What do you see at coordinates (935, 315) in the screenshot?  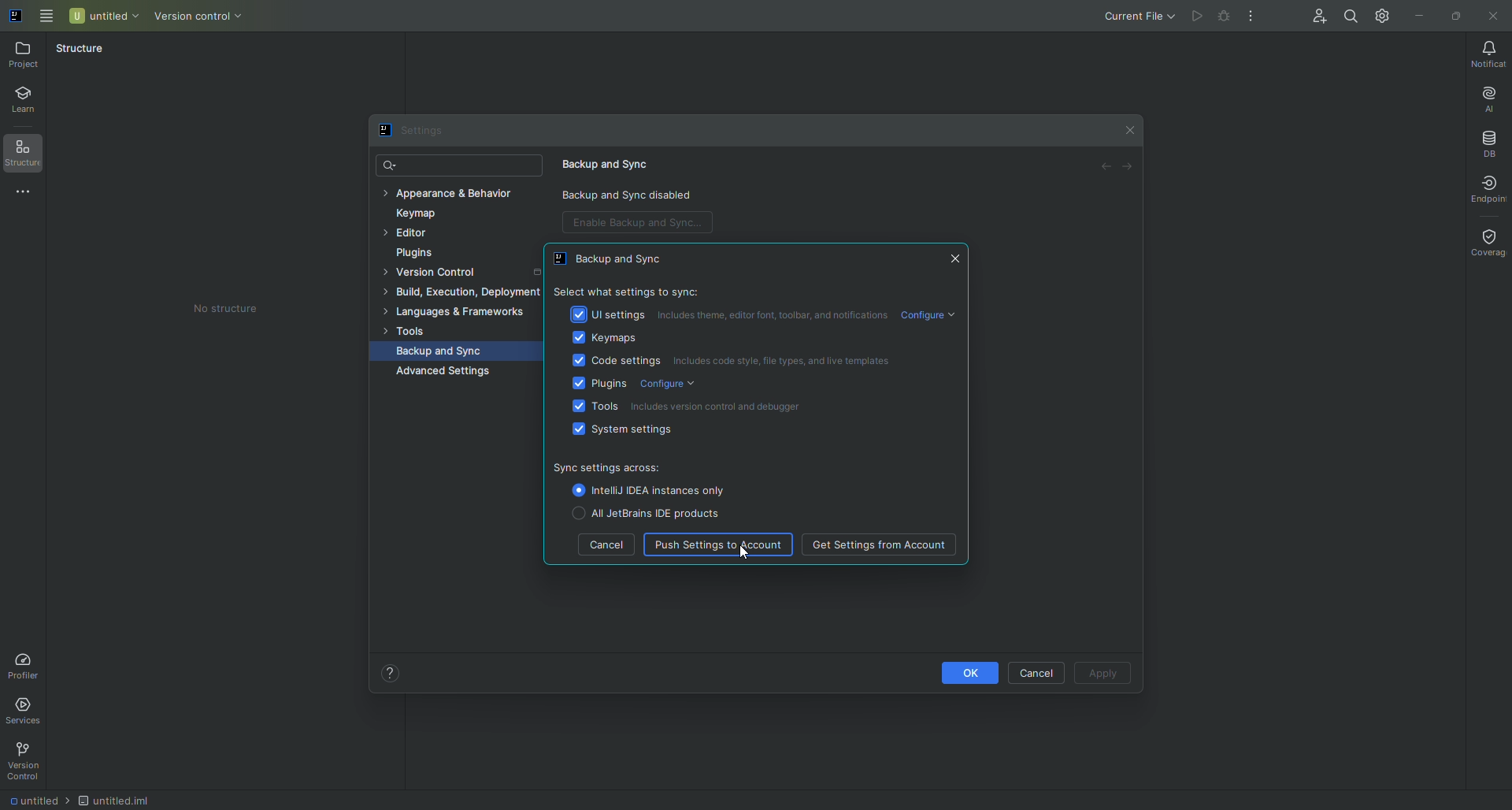 I see `Configure` at bounding box center [935, 315].